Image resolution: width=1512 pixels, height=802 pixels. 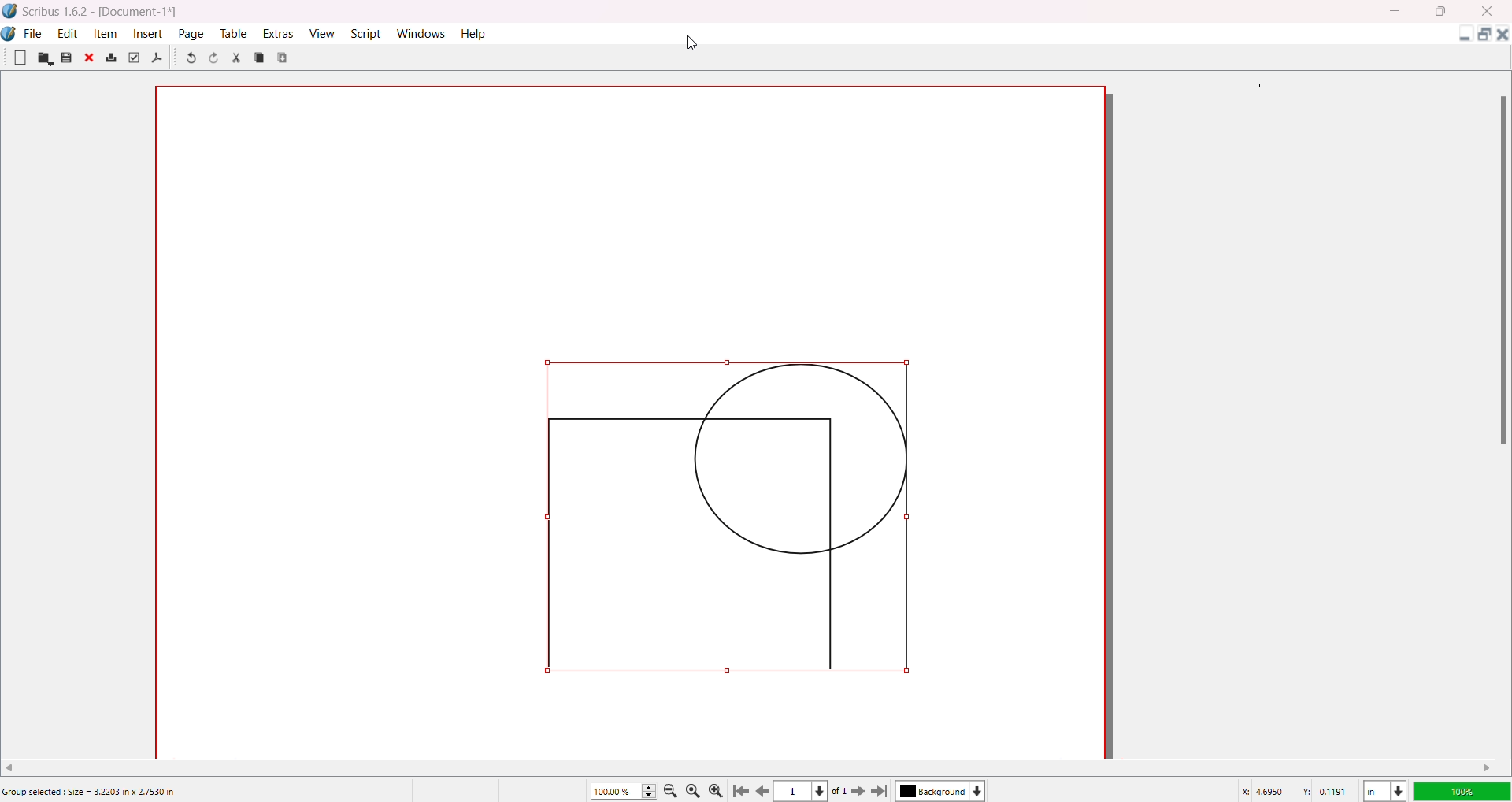 What do you see at coordinates (15, 766) in the screenshot?
I see `Move Left` at bounding box center [15, 766].